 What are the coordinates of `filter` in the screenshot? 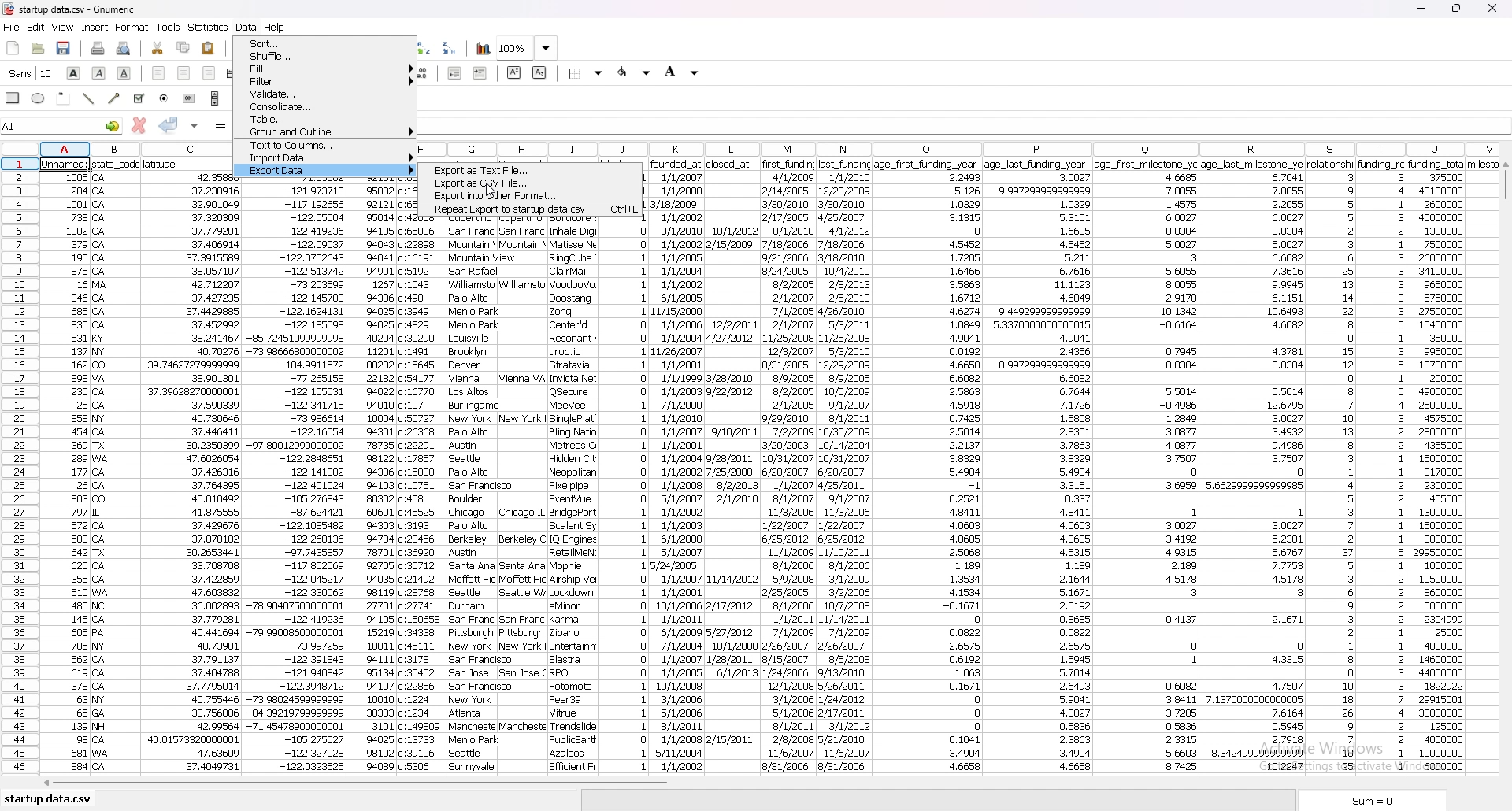 It's located at (325, 81).